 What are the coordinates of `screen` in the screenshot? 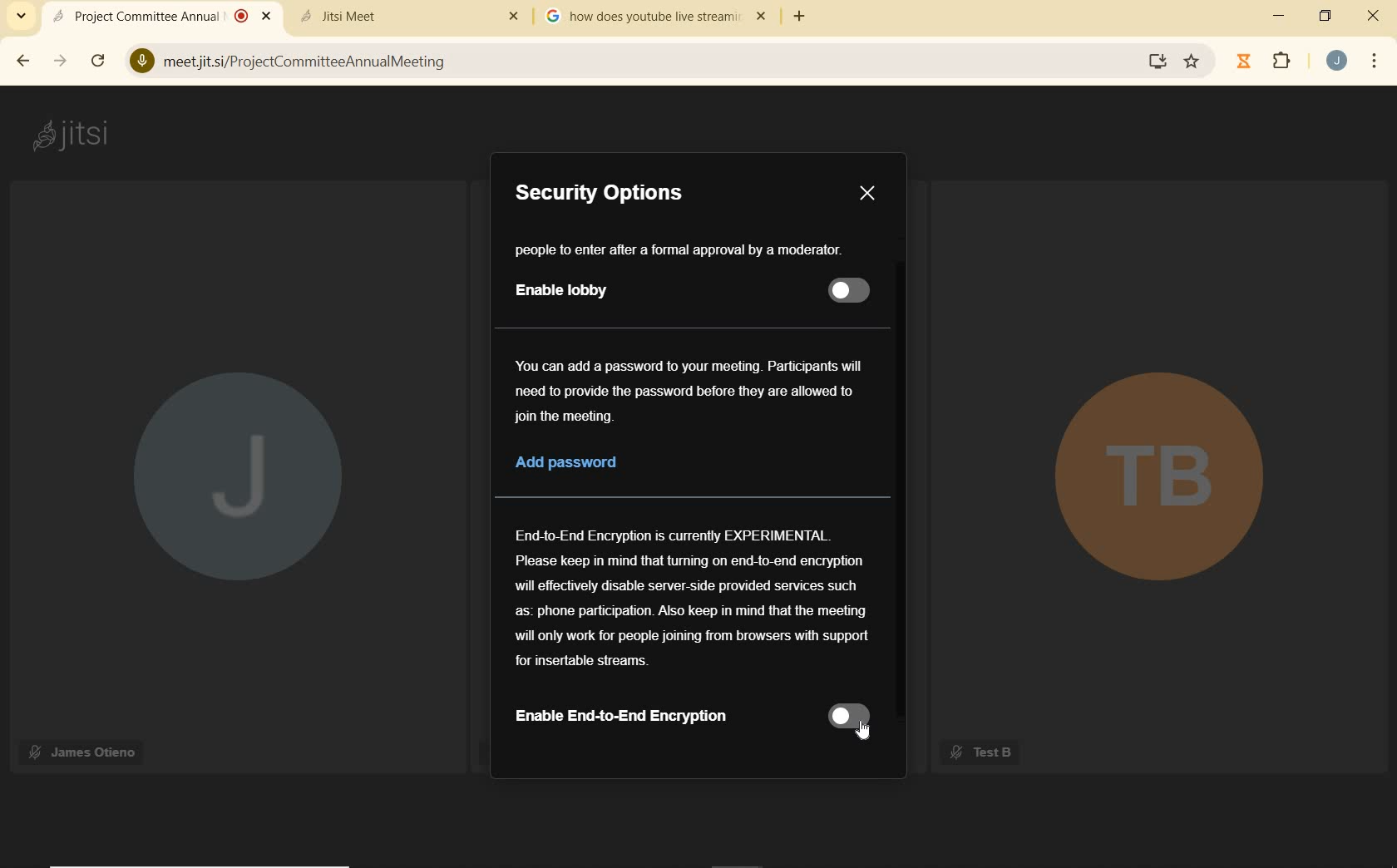 It's located at (1157, 62).